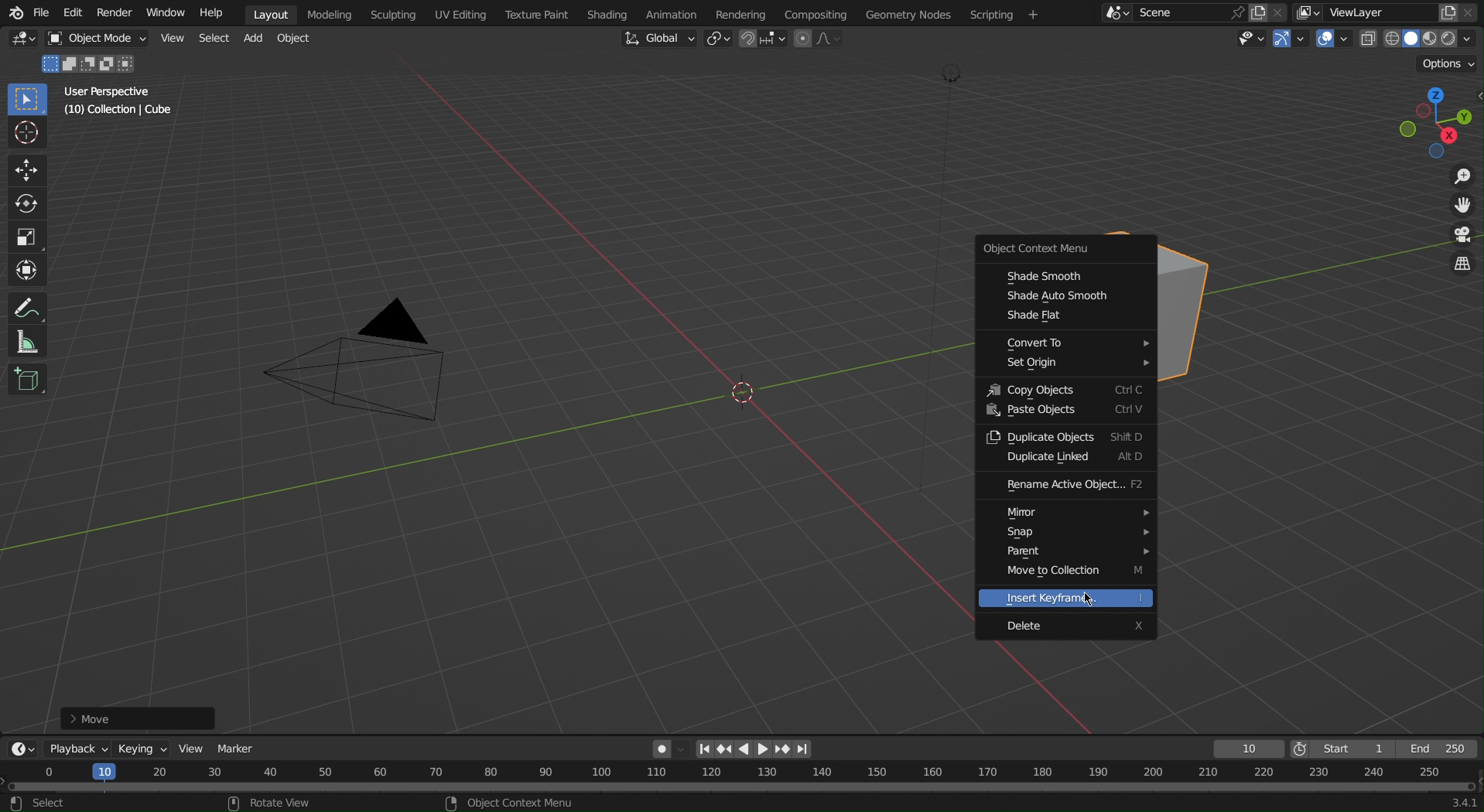 This screenshot has width=1484, height=812. Describe the element at coordinates (1246, 38) in the screenshot. I see `Types of objects` at that location.